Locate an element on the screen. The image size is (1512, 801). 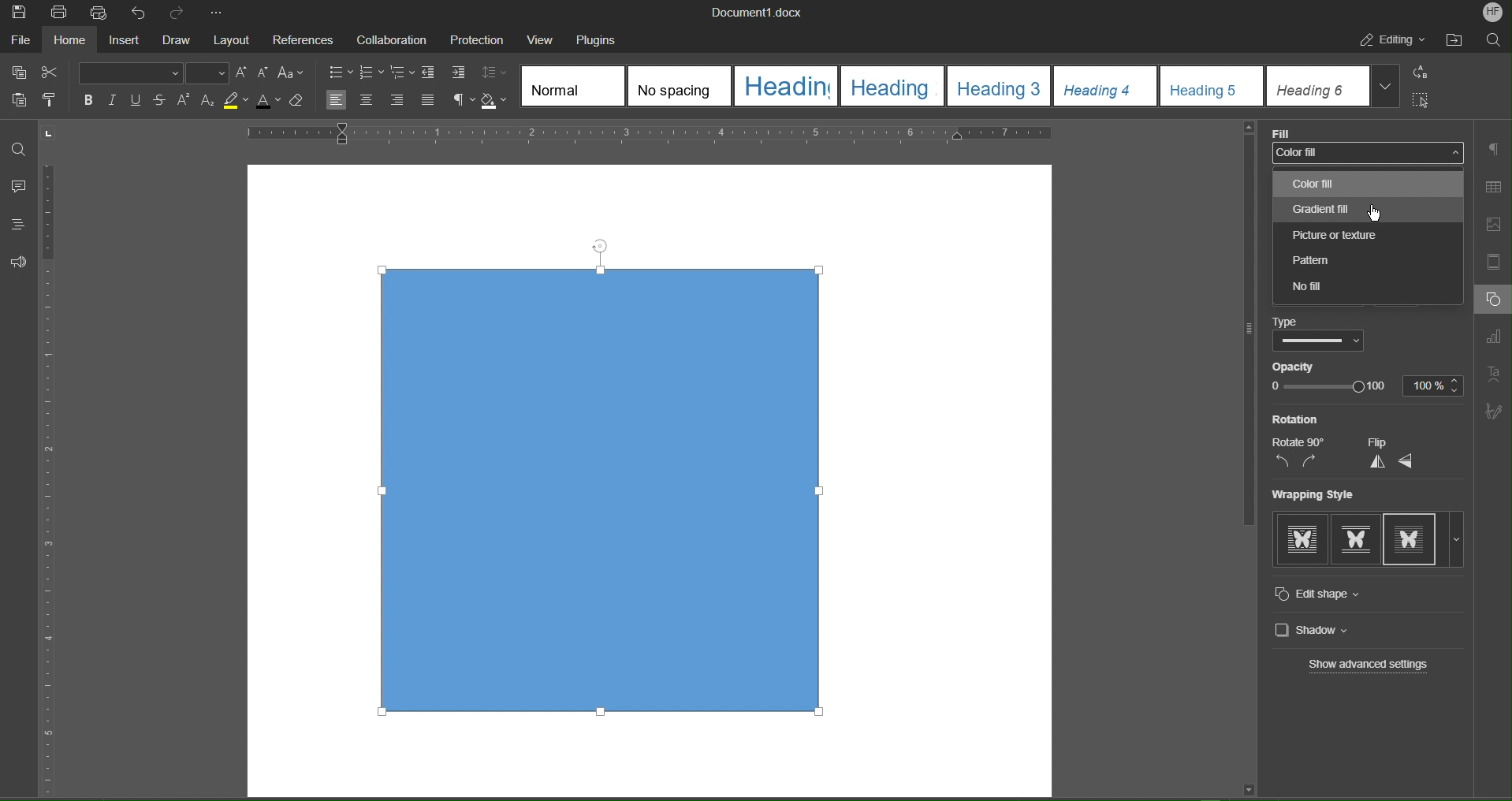
Bold is located at coordinates (88, 100).